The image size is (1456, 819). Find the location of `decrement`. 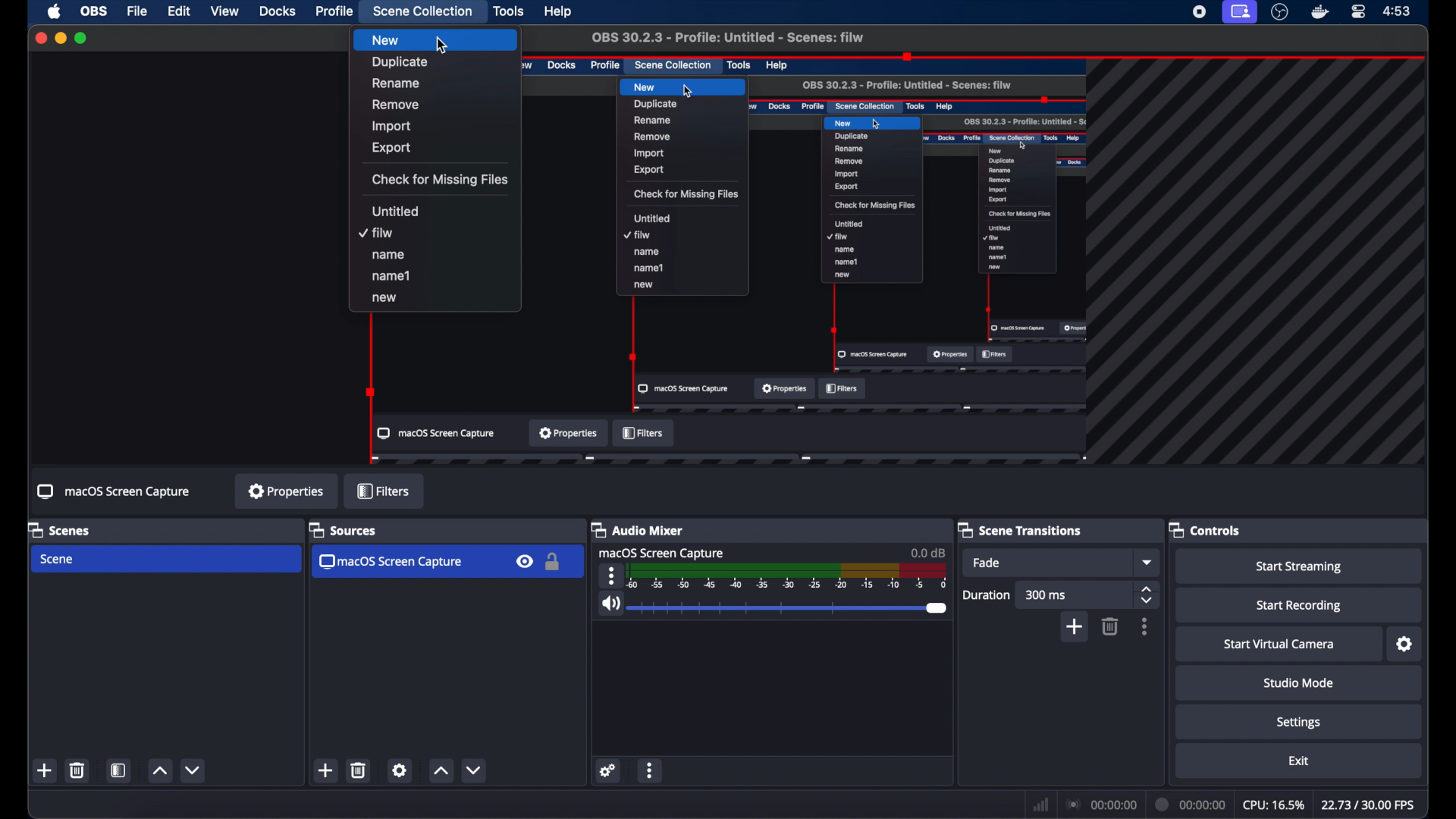

decrement is located at coordinates (473, 769).